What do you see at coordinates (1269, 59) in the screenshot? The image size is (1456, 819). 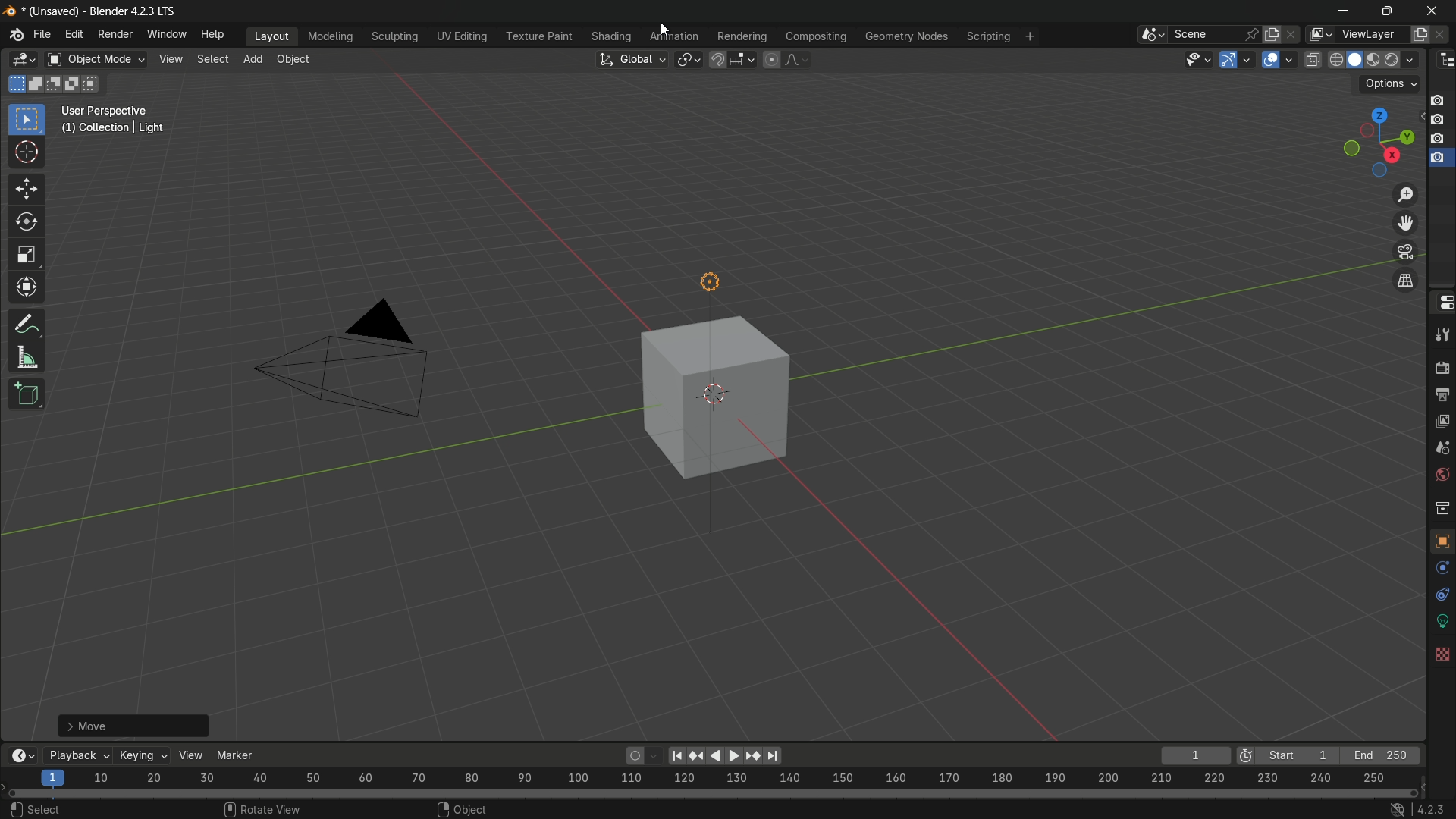 I see `show overlays` at bounding box center [1269, 59].